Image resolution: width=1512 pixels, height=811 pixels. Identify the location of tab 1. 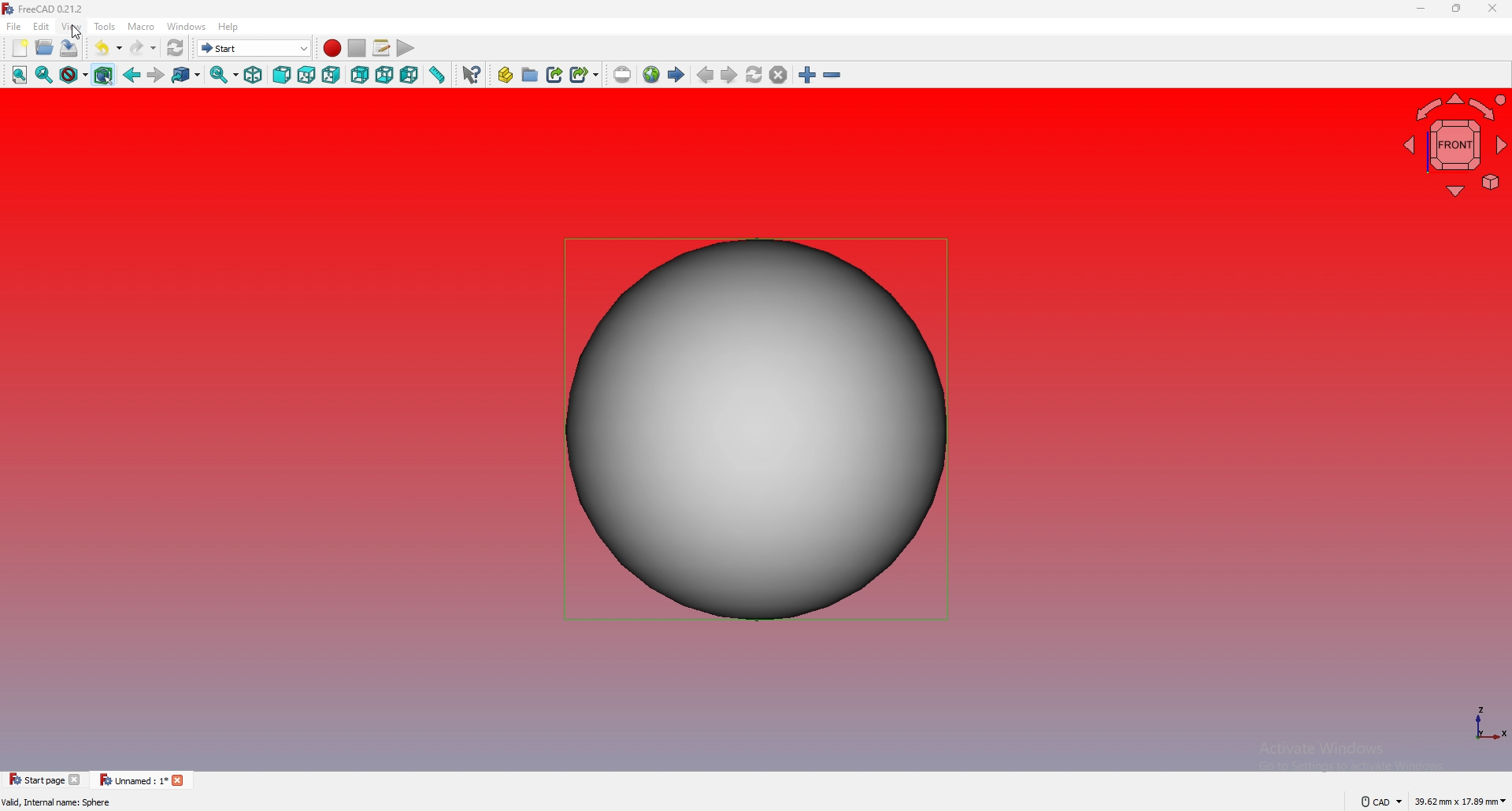
(45, 779).